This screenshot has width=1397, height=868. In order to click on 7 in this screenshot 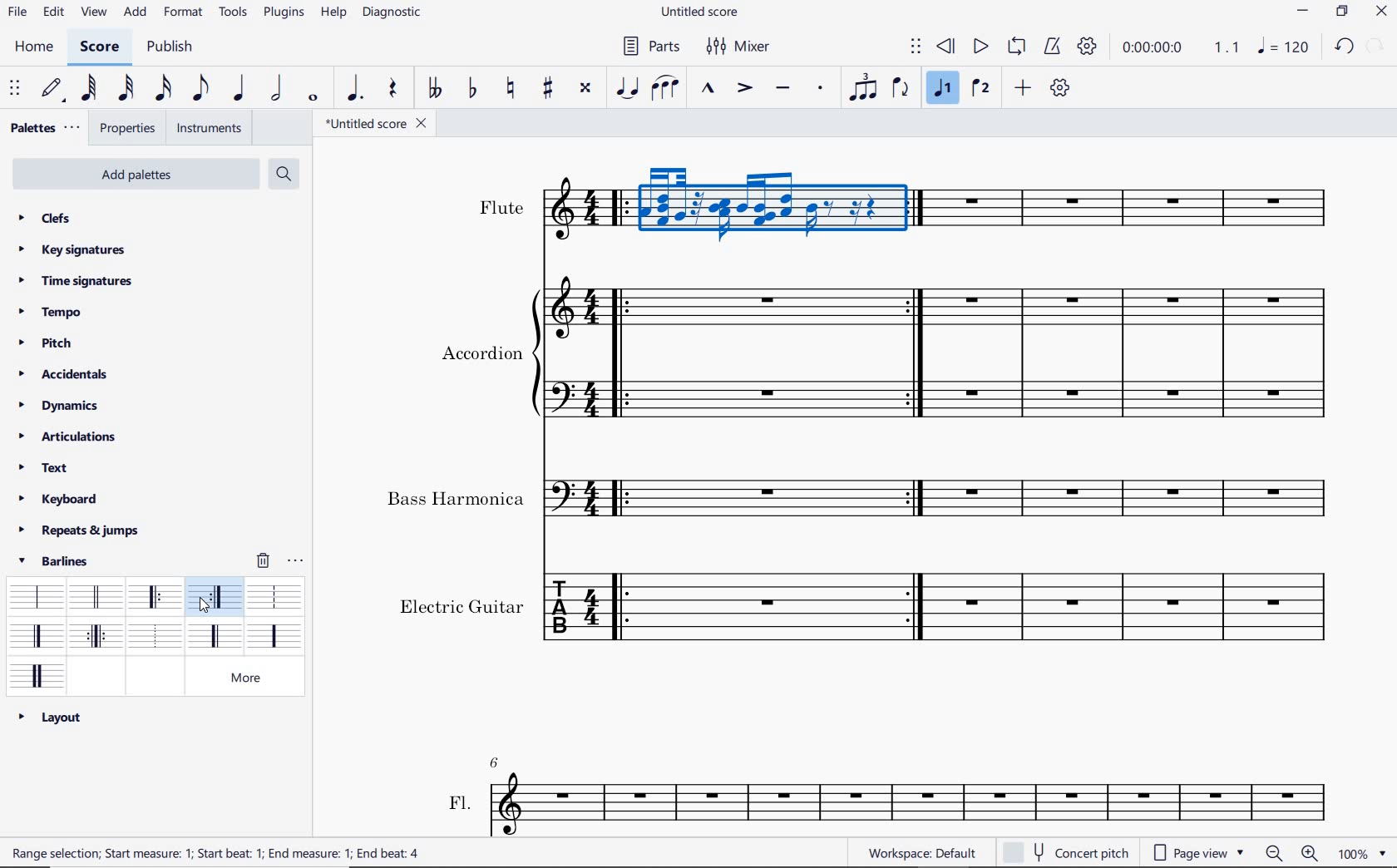, I will do `click(499, 760)`.